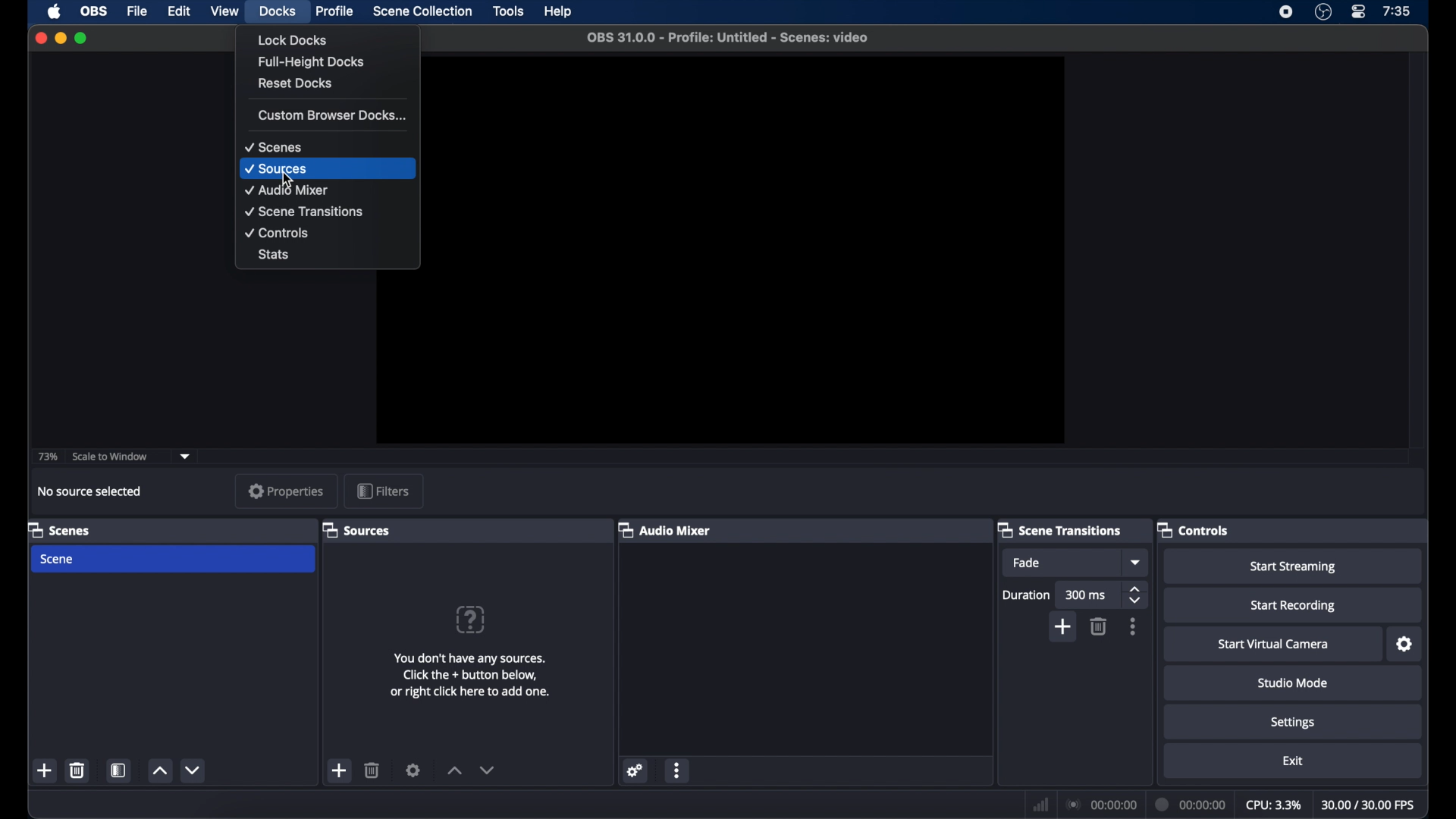  What do you see at coordinates (83, 38) in the screenshot?
I see `maximize` at bounding box center [83, 38].